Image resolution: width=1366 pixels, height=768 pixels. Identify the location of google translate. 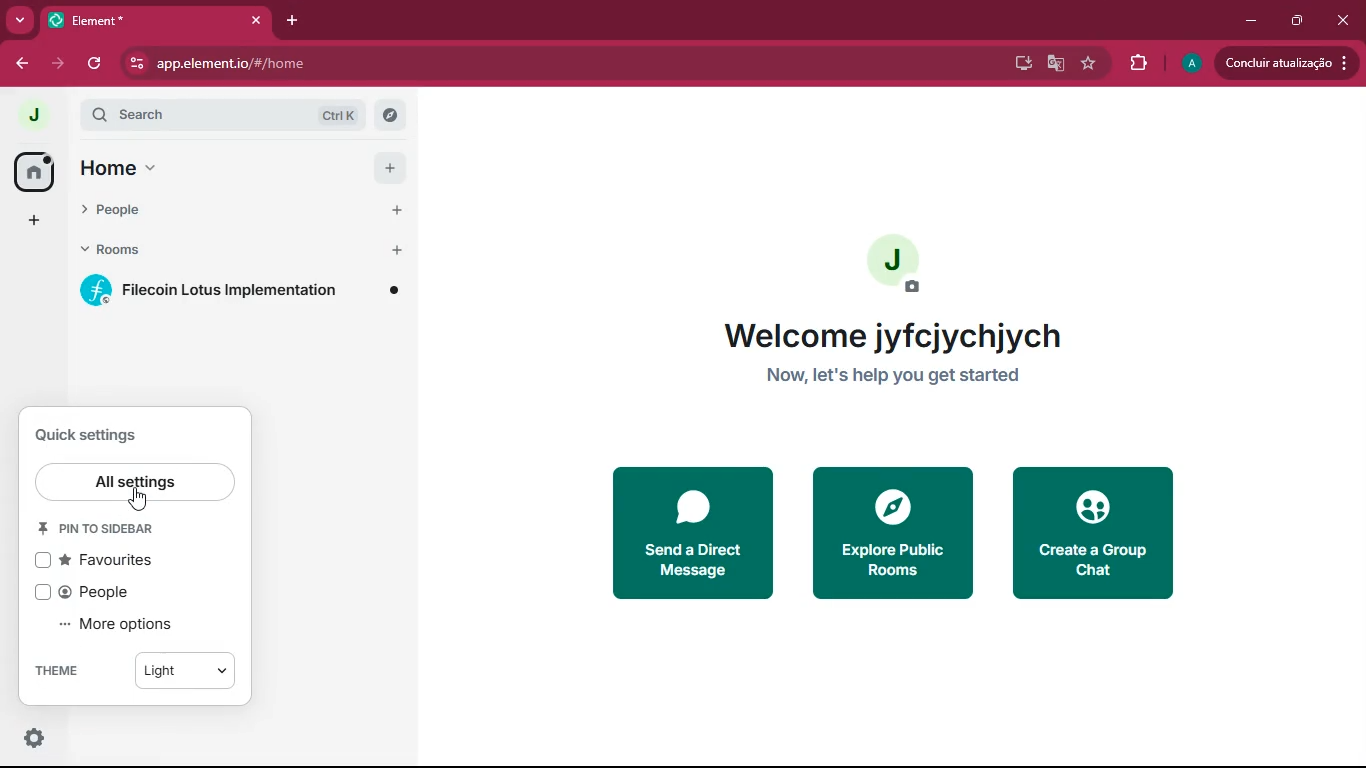
(1056, 64).